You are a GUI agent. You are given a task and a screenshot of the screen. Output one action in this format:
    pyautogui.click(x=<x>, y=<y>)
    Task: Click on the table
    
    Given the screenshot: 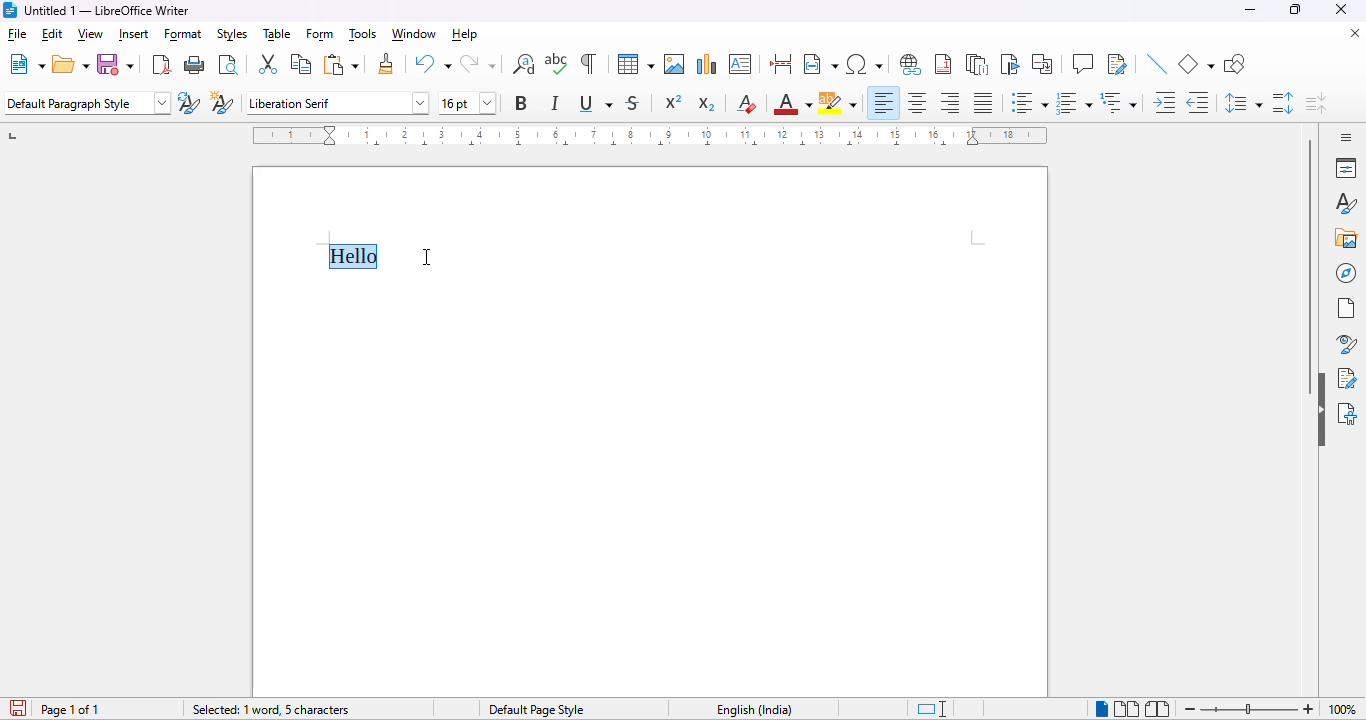 What is the action you would take?
    pyautogui.click(x=277, y=35)
    